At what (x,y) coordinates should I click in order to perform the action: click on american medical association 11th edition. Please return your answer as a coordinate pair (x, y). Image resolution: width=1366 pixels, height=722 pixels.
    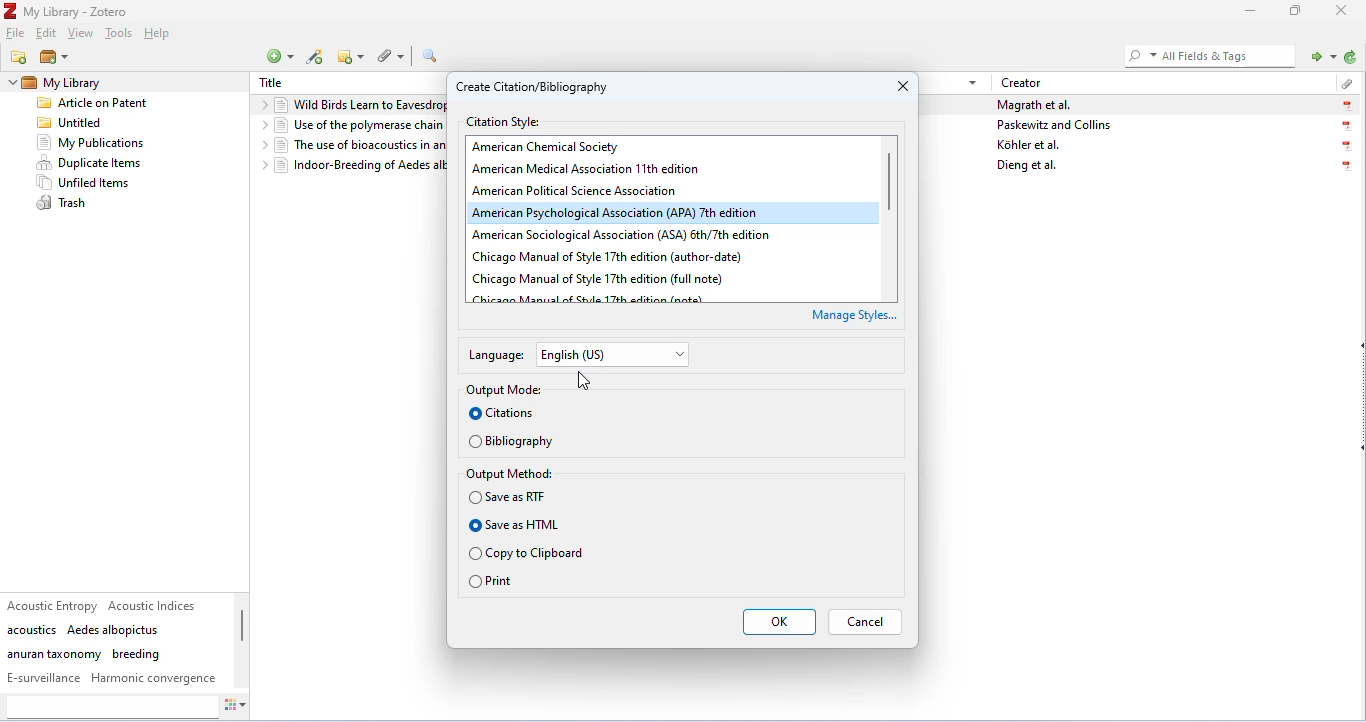
    Looking at the image, I should click on (603, 169).